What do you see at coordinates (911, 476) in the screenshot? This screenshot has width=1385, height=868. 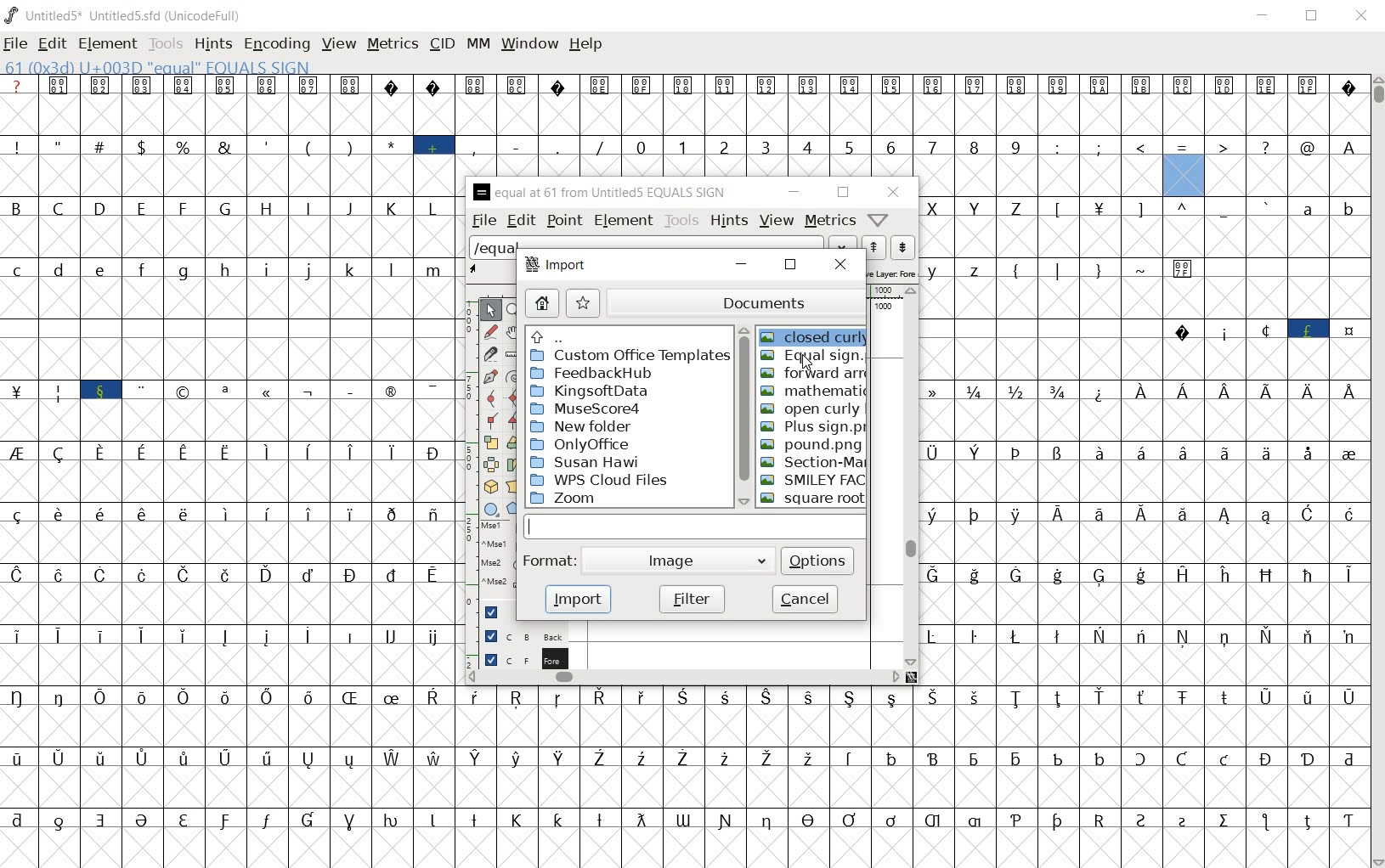 I see `scrollbar` at bounding box center [911, 476].